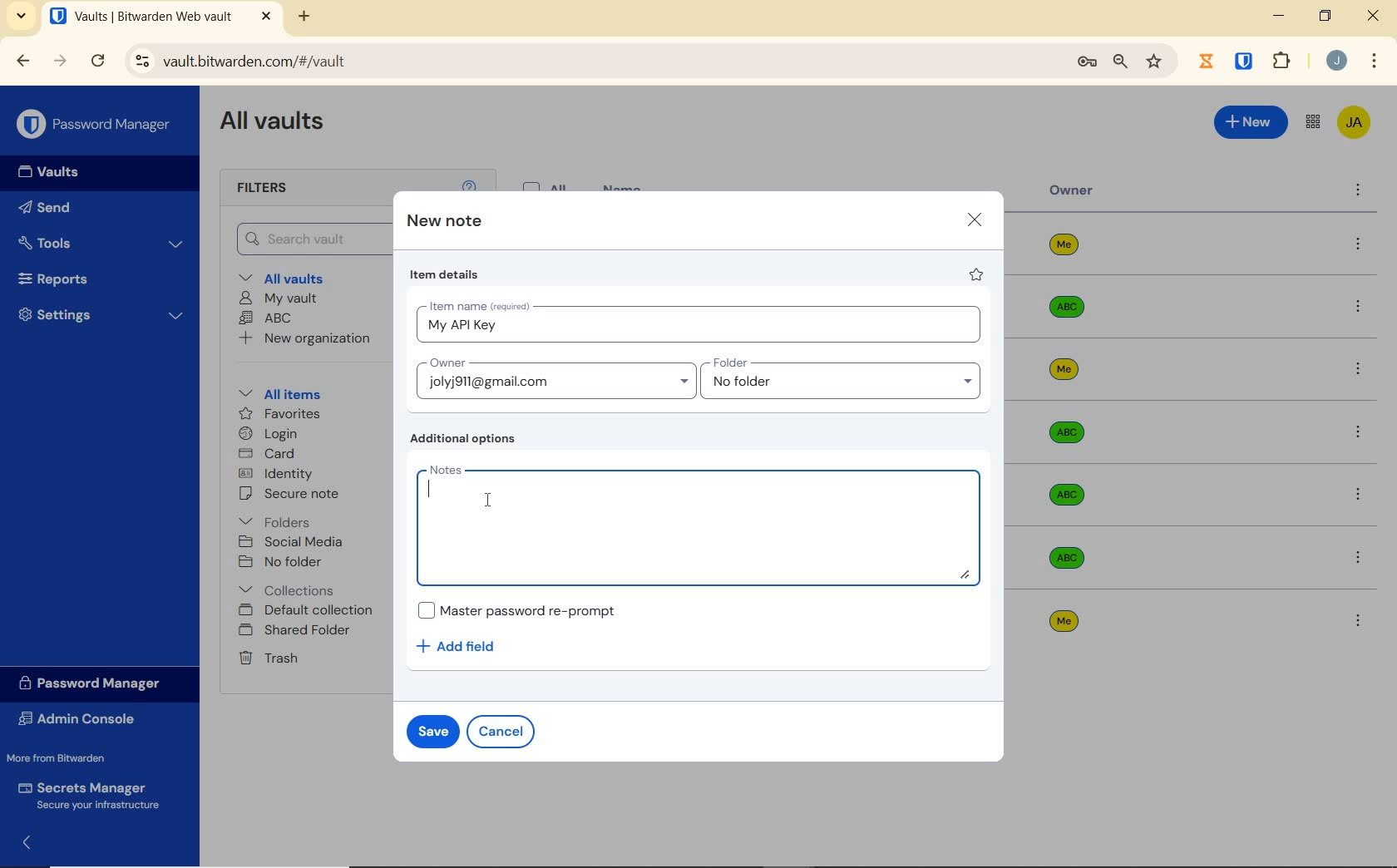 This screenshot has width=1397, height=868. I want to click on No folder, so click(284, 562).